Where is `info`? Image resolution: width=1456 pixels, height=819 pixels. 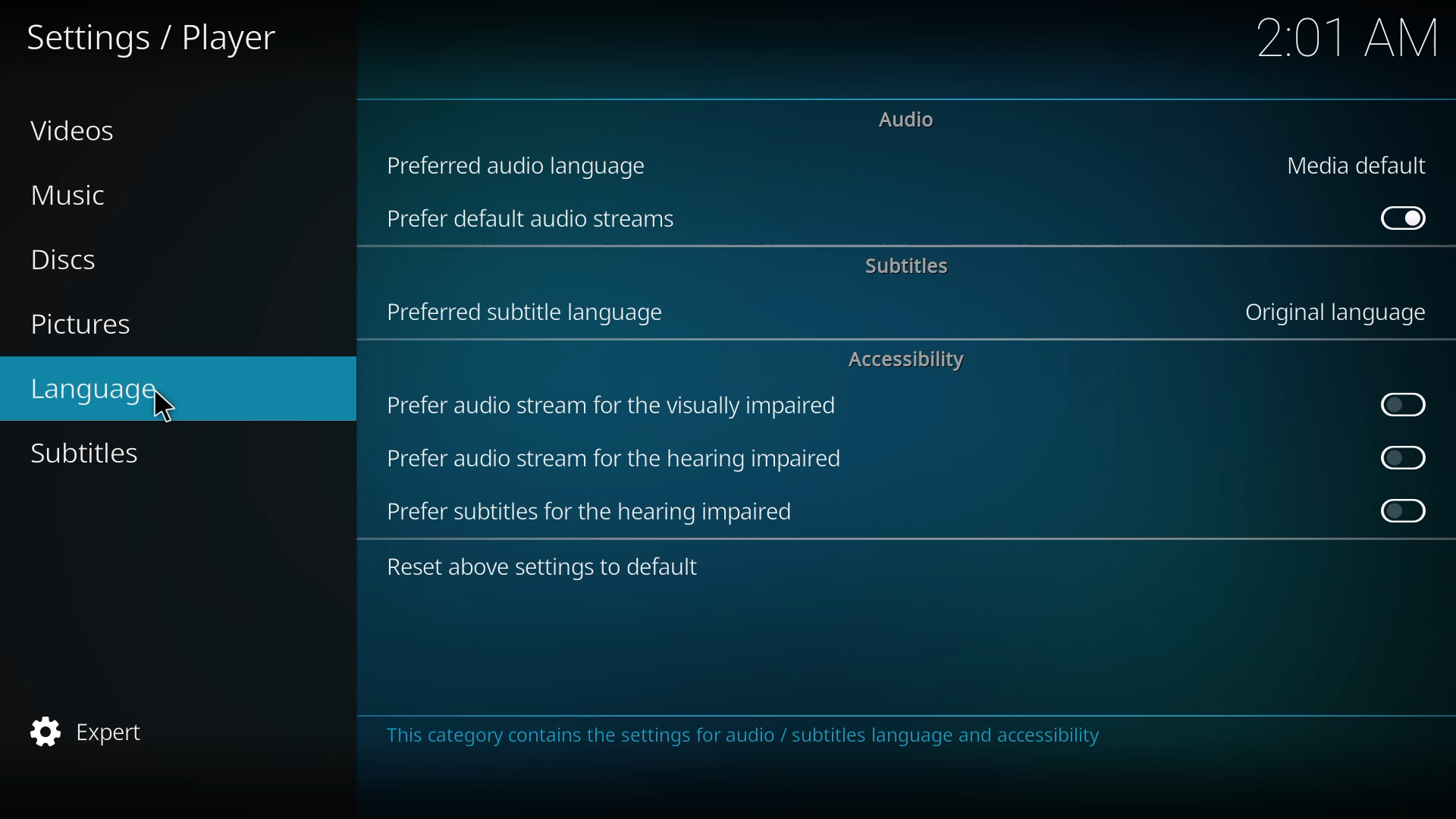
info is located at coordinates (744, 736).